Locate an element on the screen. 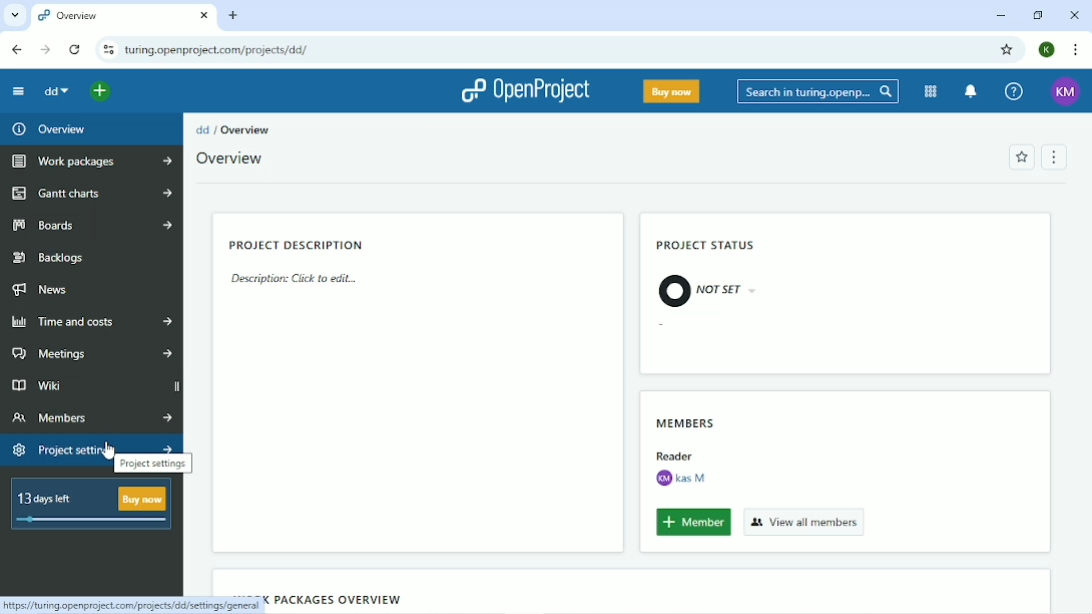 Image resolution: width=1092 pixels, height=614 pixels. Close is located at coordinates (1075, 15).